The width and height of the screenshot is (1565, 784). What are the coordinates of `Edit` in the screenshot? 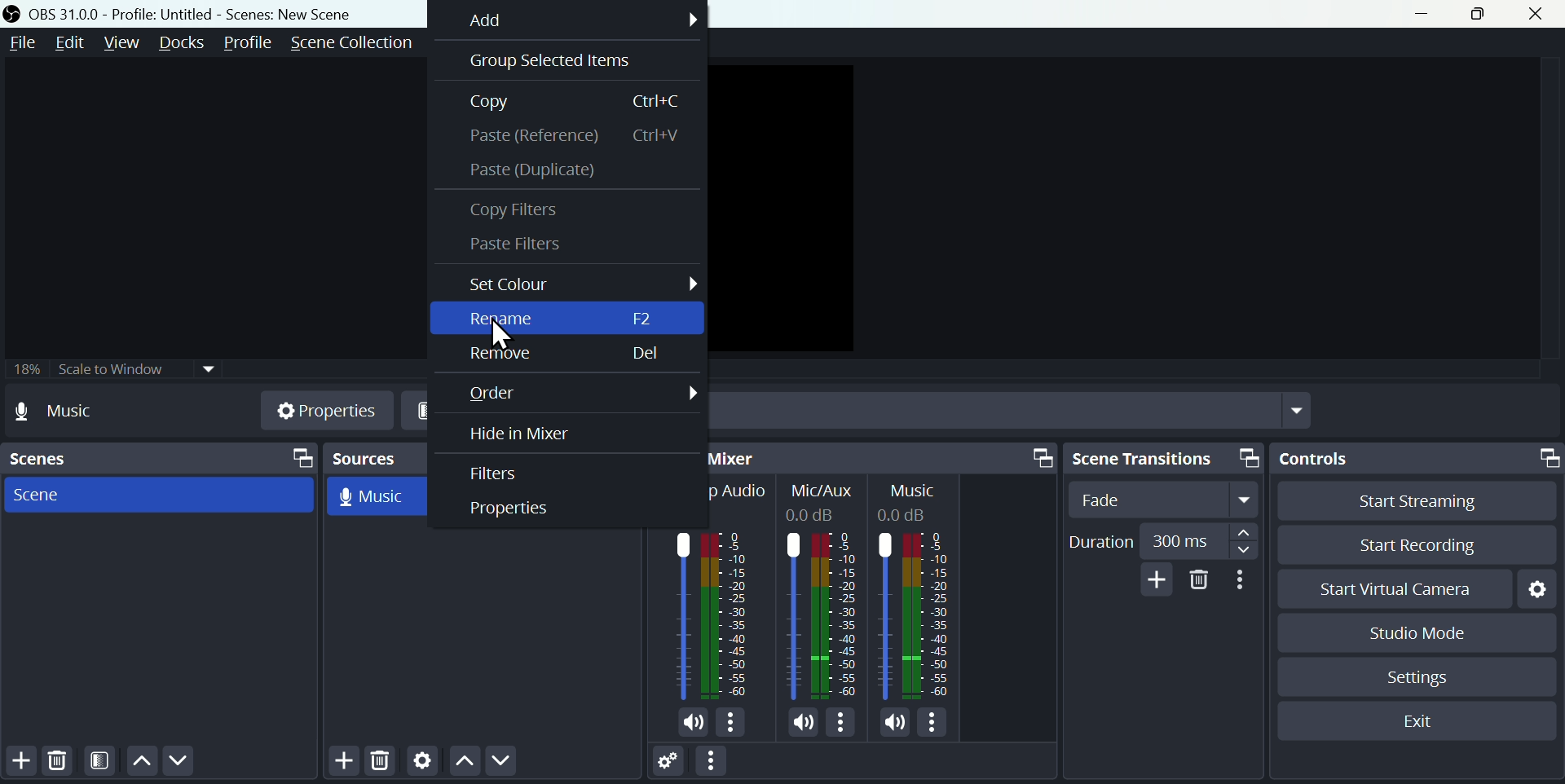 It's located at (73, 41).